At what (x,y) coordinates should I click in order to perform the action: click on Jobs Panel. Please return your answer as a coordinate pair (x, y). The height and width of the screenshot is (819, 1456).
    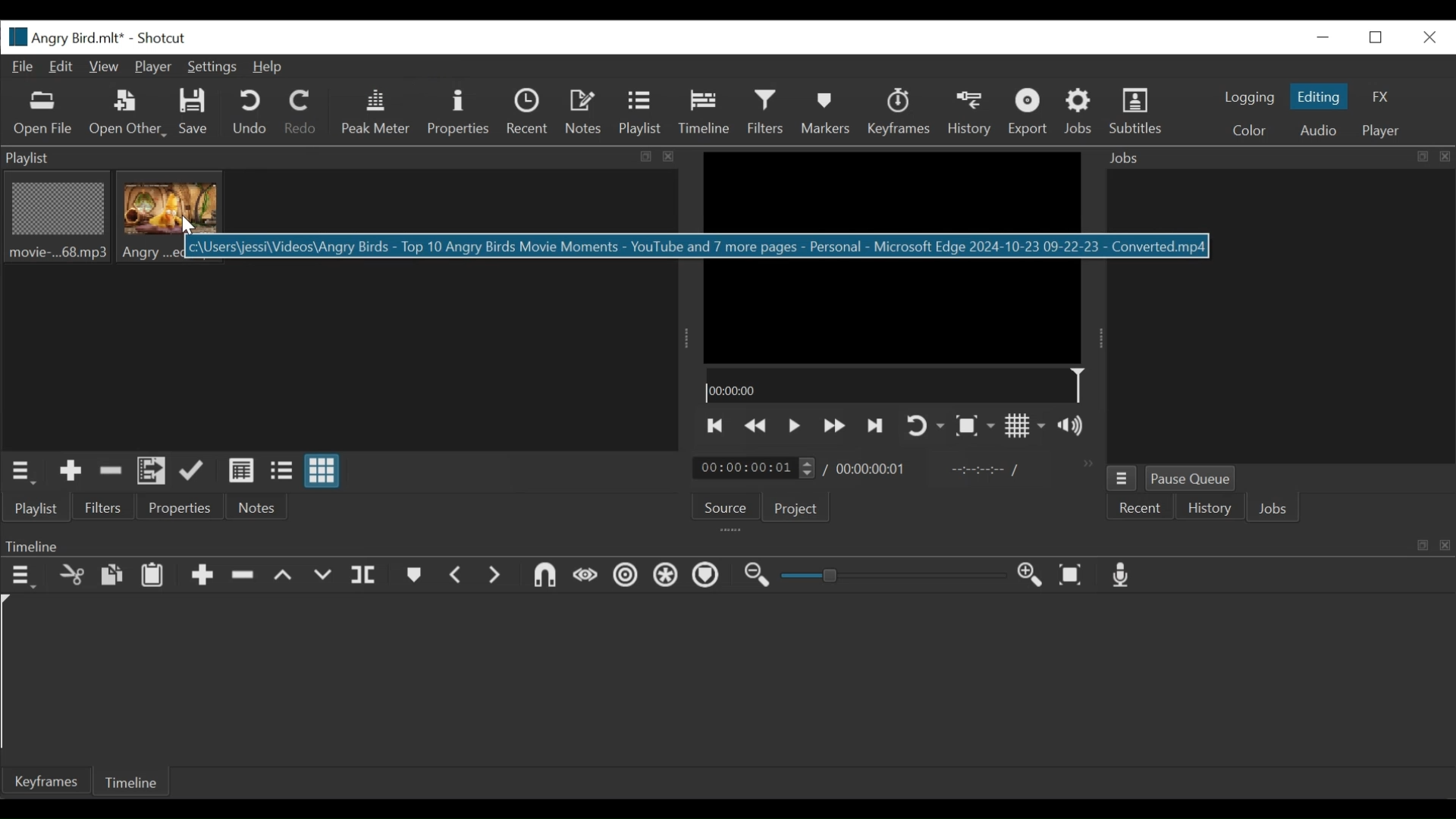
    Looking at the image, I should click on (1280, 318).